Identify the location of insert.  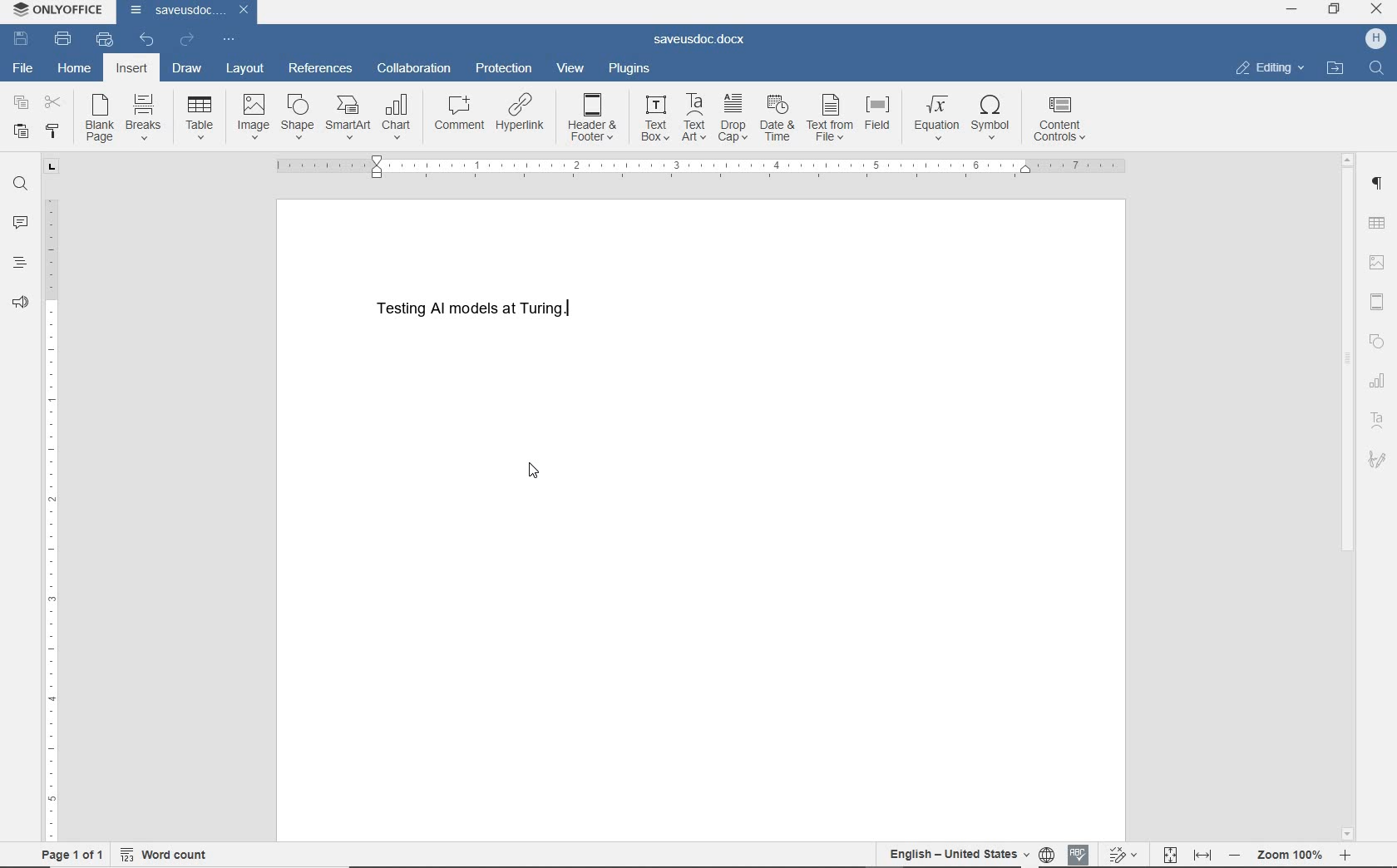
(132, 69).